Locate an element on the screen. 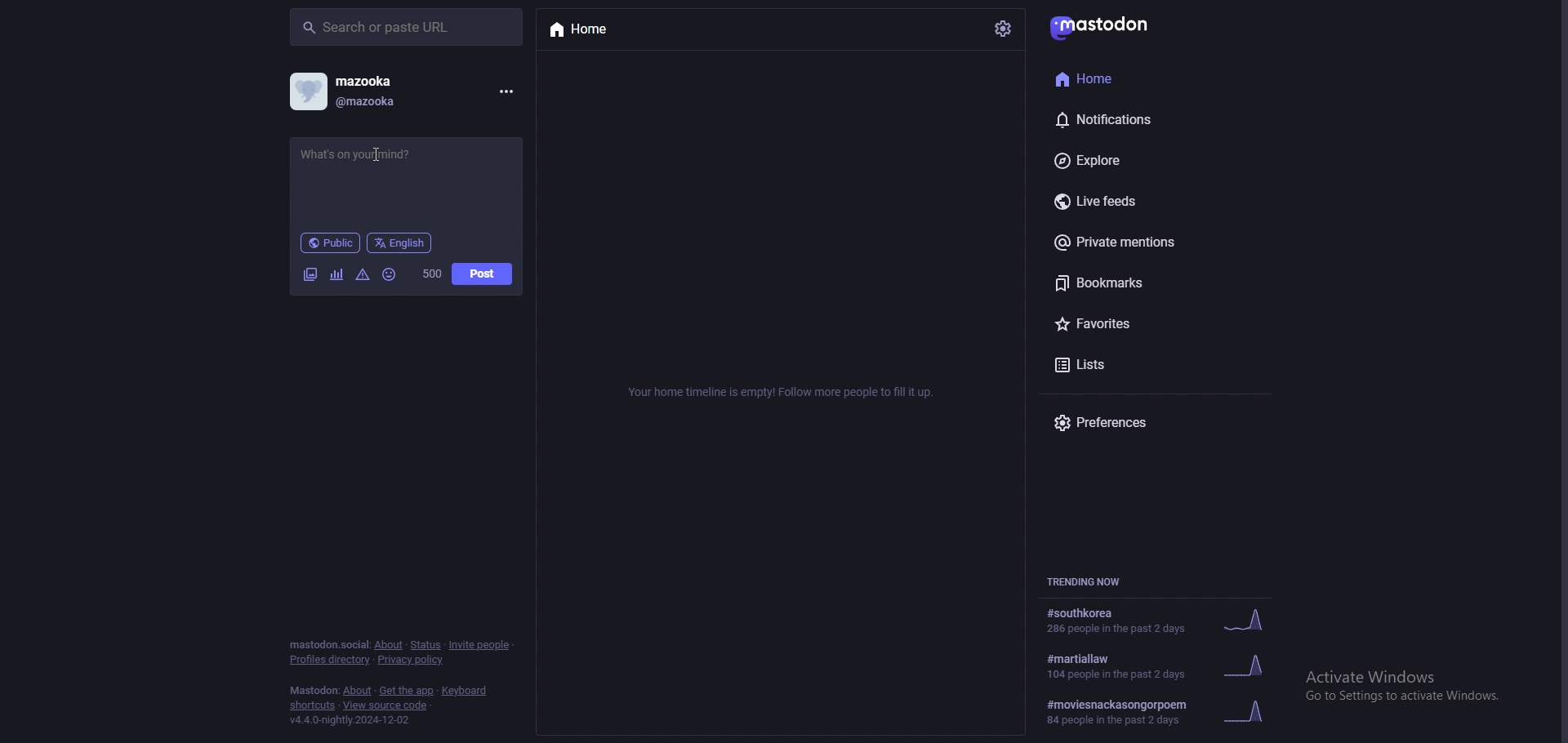 Image resolution: width=1568 pixels, height=743 pixels. profile is located at coordinates (343, 91).